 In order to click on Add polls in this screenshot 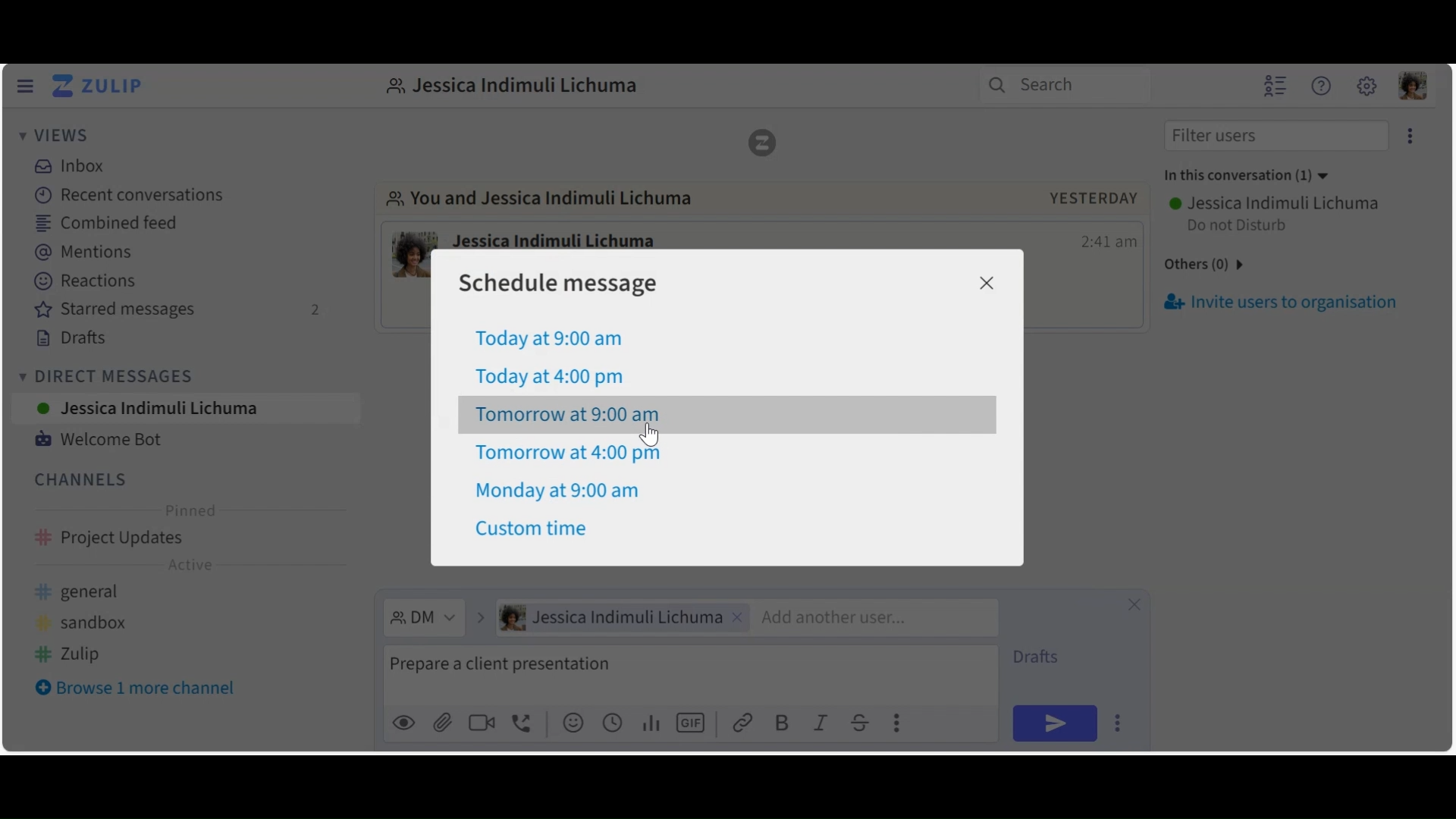, I will do `click(650, 723)`.